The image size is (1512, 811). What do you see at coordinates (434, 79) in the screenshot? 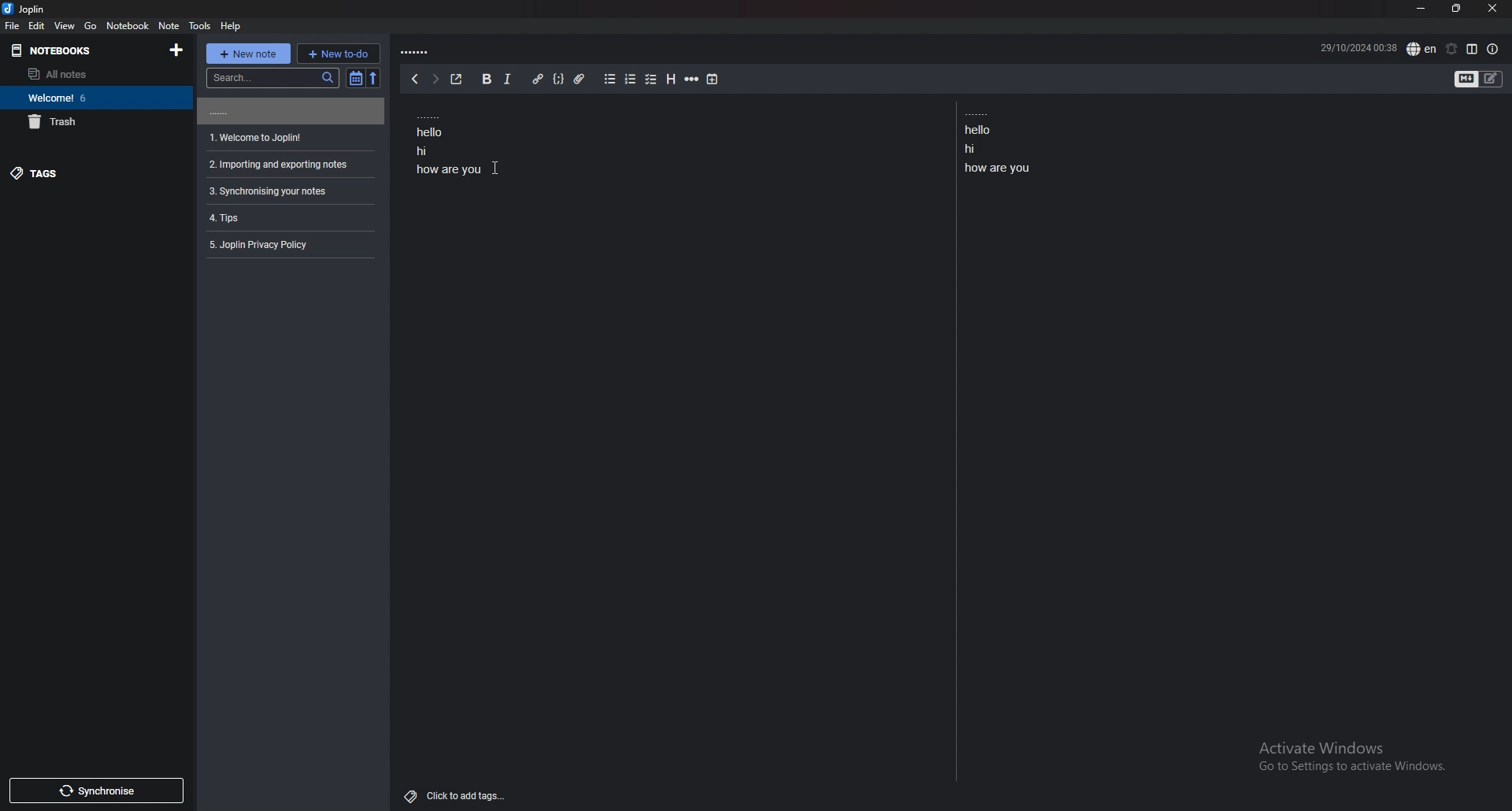
I see `forward` at bounding box center [434, 79].